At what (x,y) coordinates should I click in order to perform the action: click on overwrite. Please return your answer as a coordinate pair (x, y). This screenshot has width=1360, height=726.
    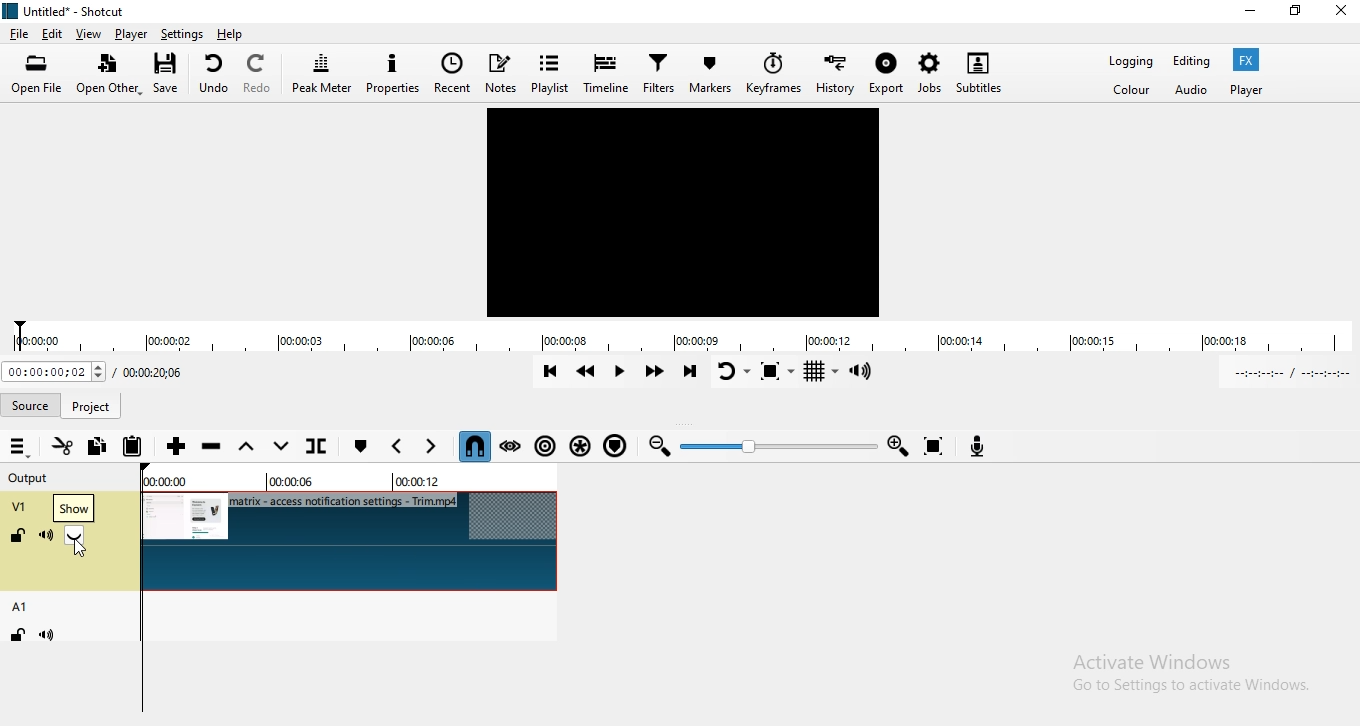
    Looking at the image, I should click on (283, 446).